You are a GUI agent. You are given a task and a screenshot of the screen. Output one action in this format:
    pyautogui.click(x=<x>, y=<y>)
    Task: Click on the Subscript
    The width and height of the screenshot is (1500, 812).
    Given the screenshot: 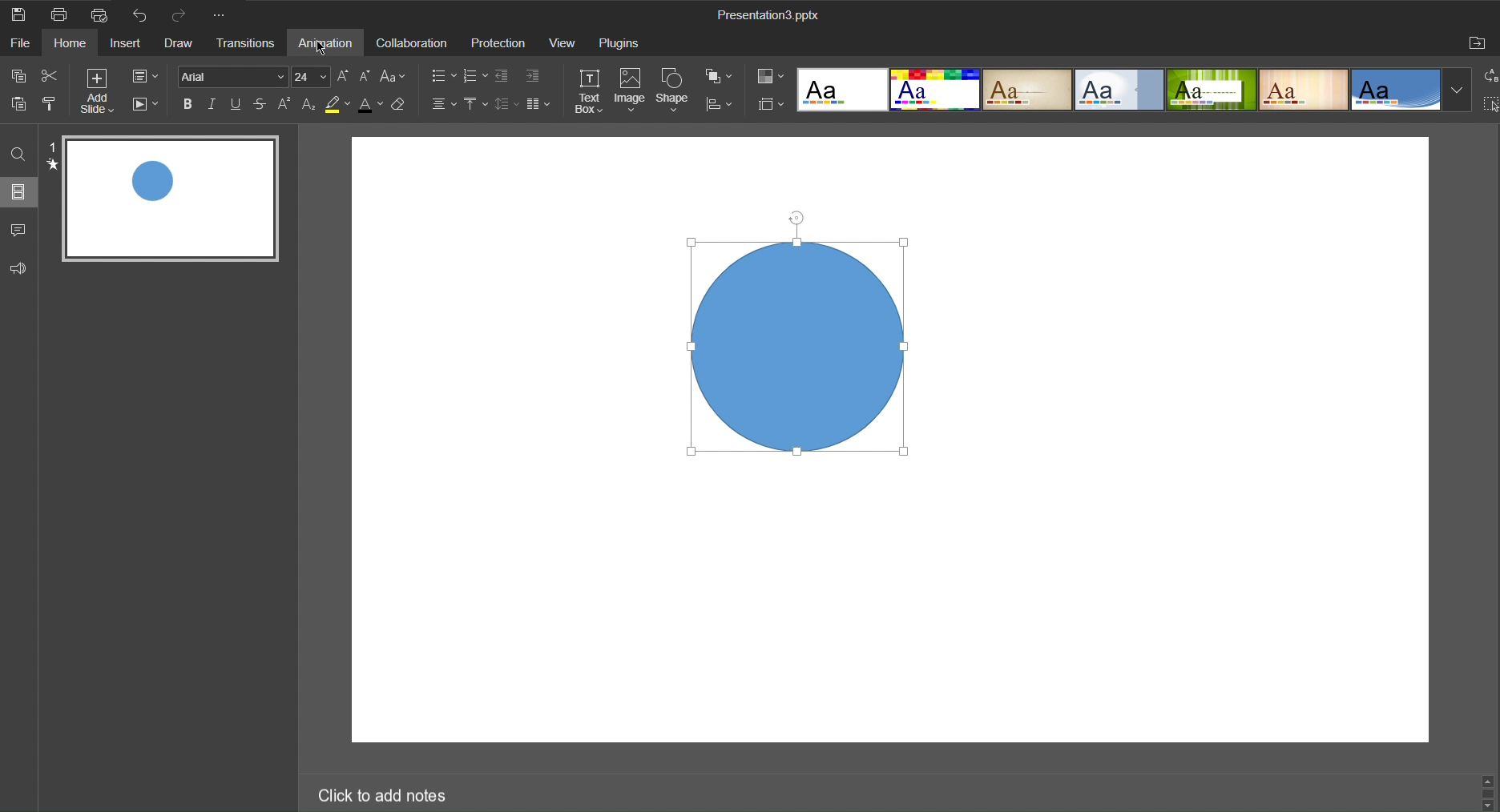 What is the action you would take?
    pyautogui.click(x=308, y=106)
    